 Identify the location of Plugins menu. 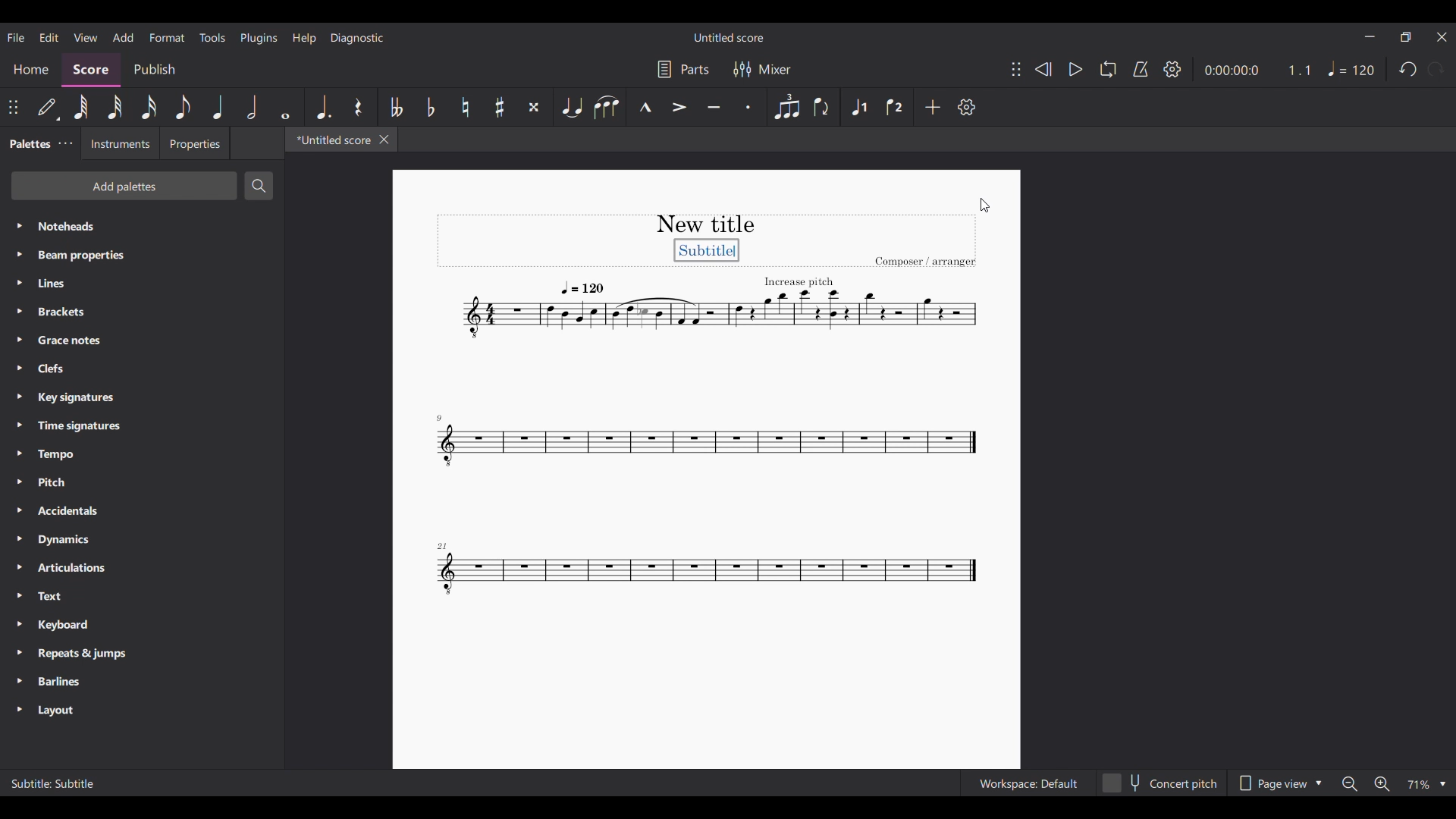
(259, 38).